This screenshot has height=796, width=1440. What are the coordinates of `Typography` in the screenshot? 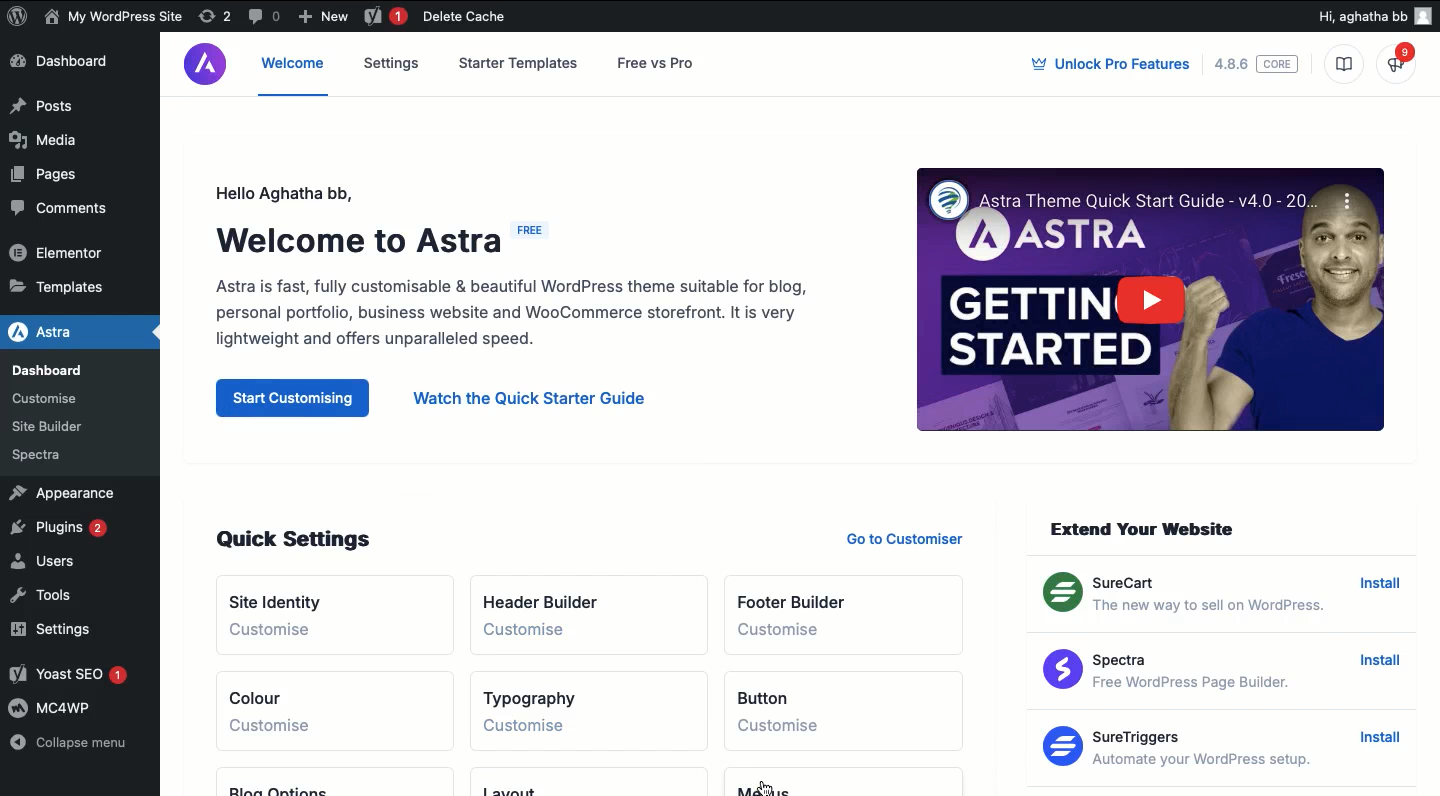 It's located at (533, 690).